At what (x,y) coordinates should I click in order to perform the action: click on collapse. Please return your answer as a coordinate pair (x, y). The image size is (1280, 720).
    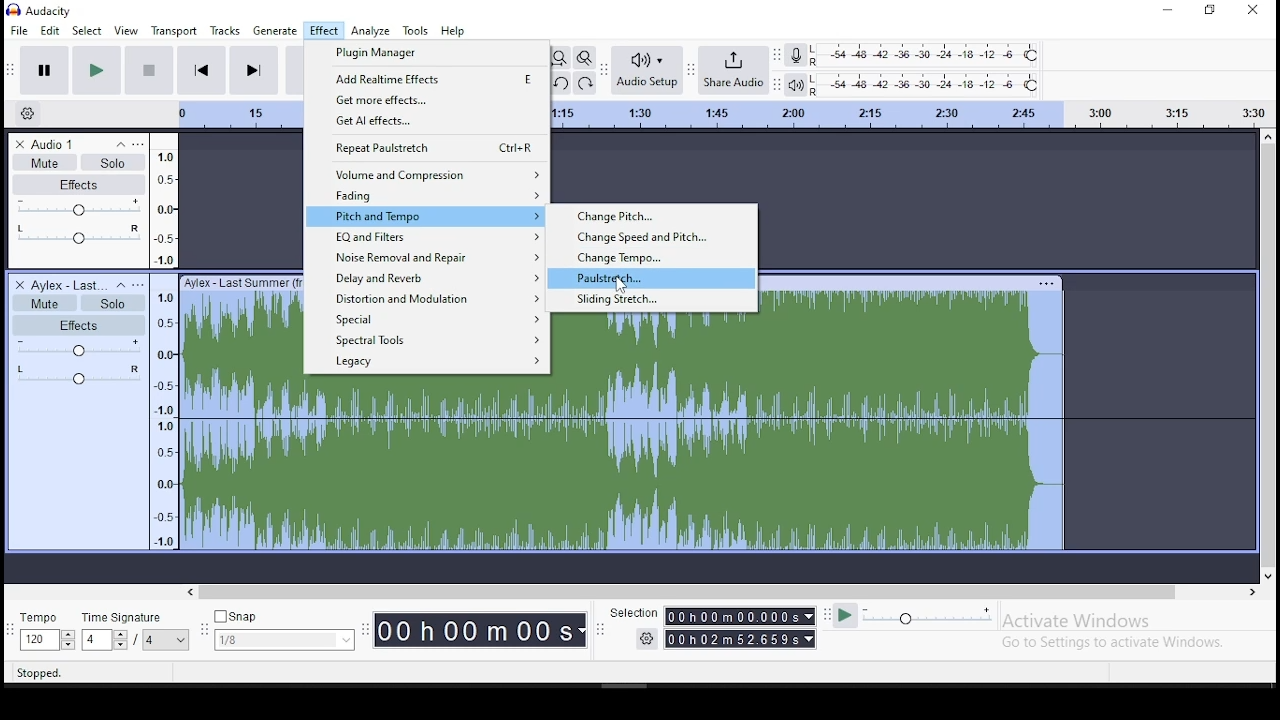
    Looking at the image, I should click on (121, 286).